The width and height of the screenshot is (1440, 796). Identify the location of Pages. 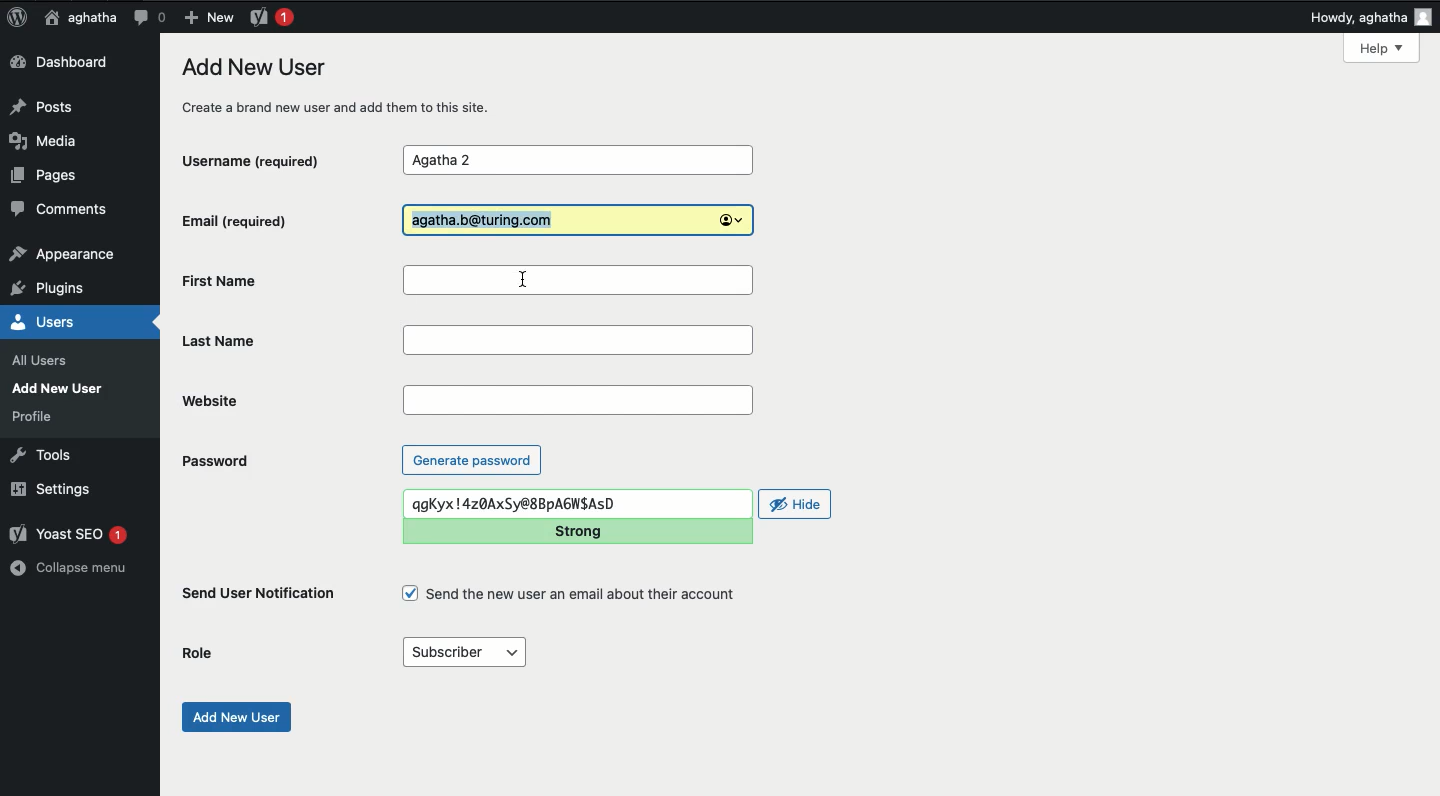
(50, 179).